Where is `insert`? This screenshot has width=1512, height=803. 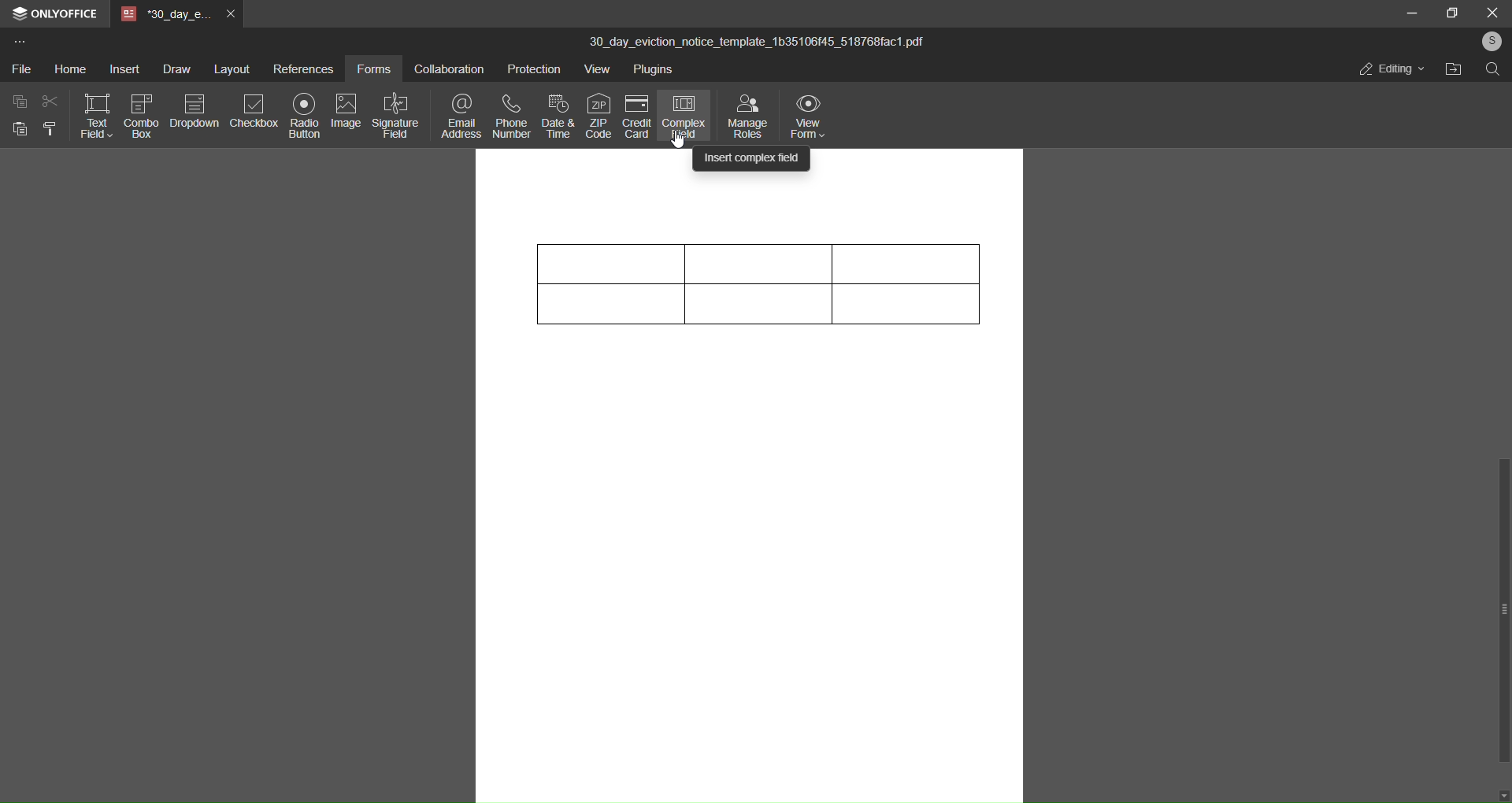 insert is located at coordinates (124, 70).